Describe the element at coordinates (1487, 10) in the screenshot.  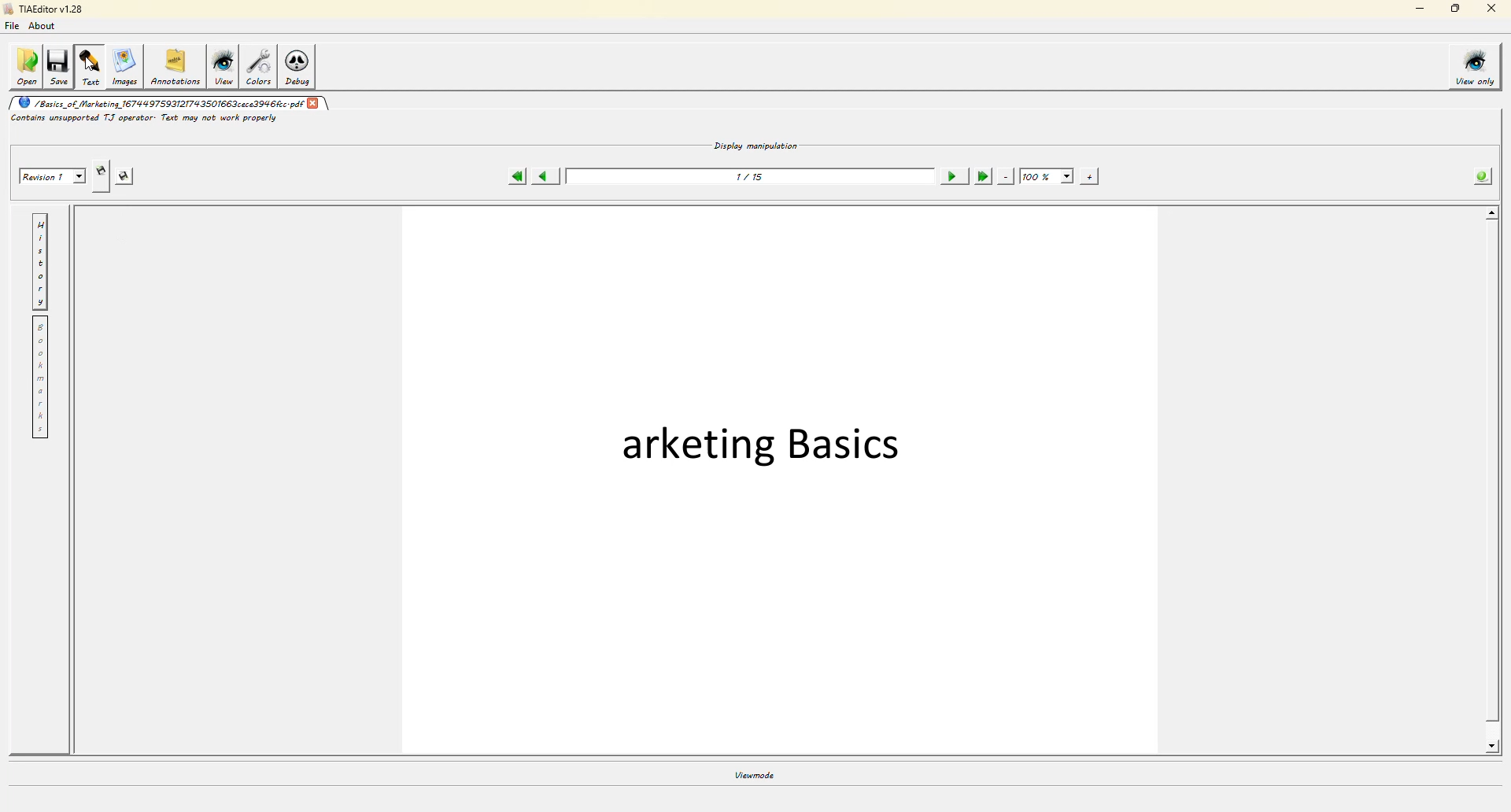
I see `close` at that location.